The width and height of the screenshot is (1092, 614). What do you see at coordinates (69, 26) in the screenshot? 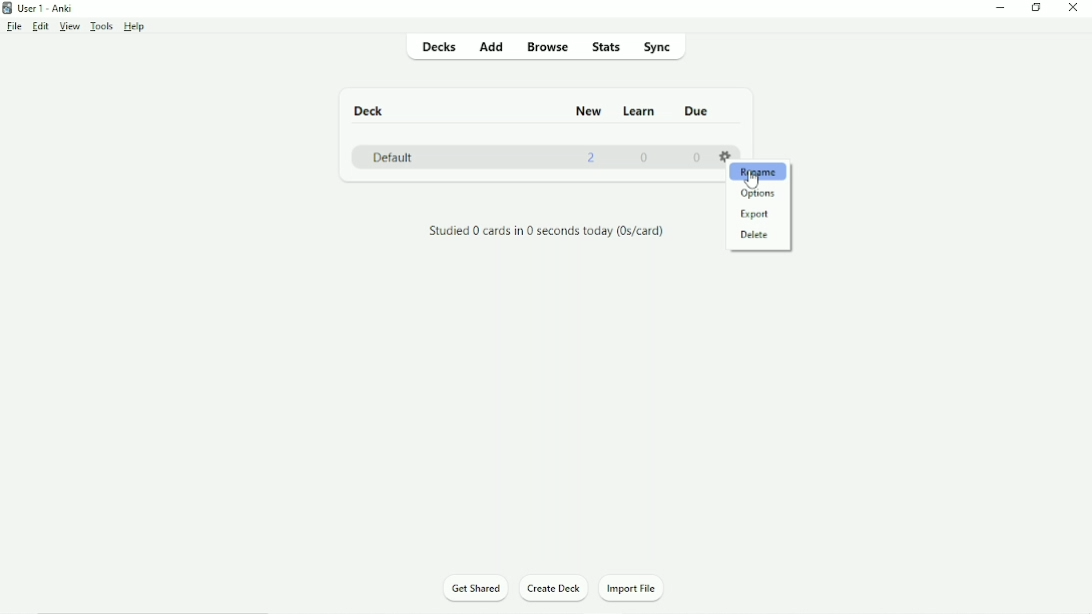
I see `View` at bounding box center [69, 26].